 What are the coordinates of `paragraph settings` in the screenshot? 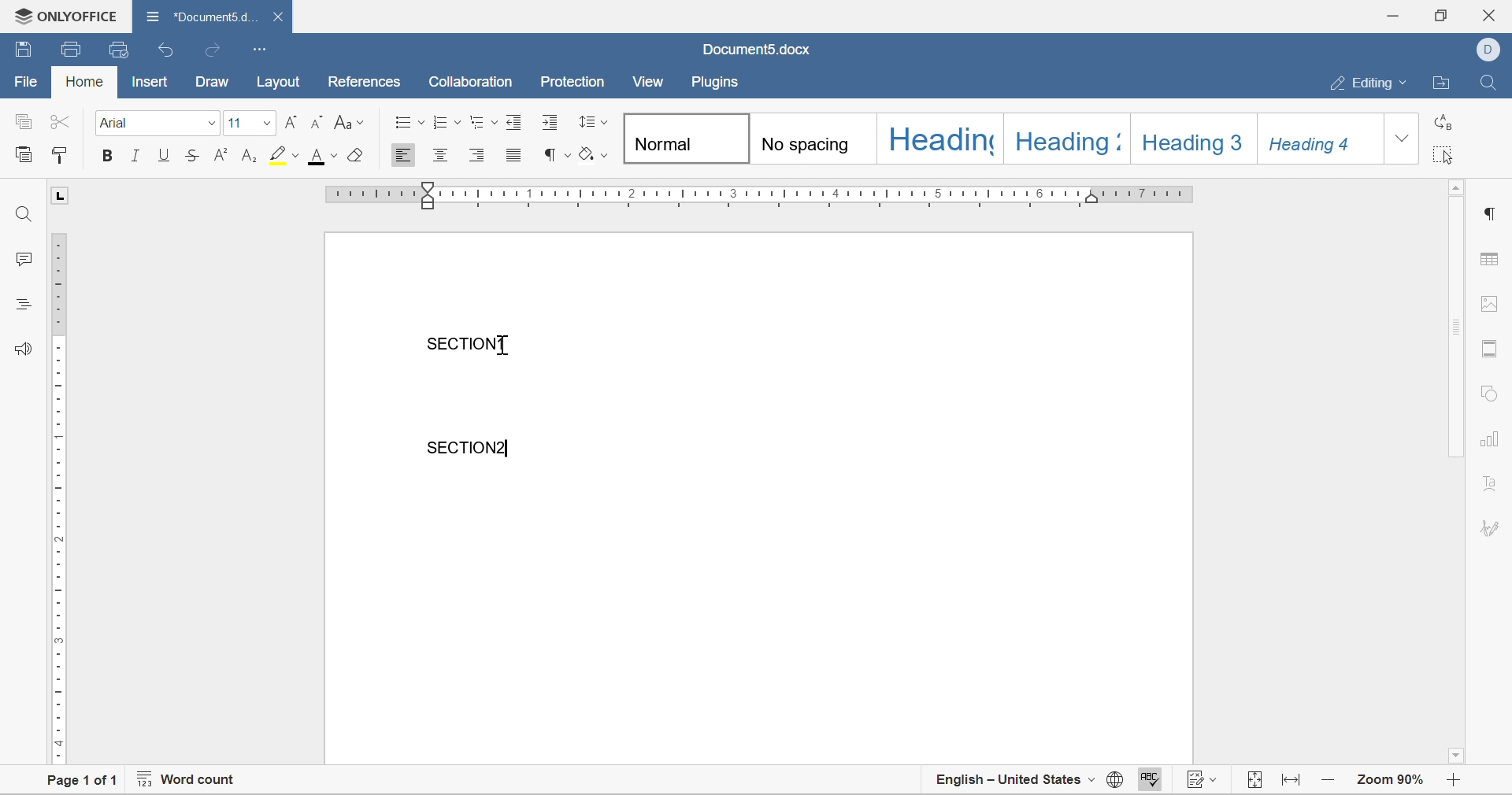 It's located at (1494, 213).